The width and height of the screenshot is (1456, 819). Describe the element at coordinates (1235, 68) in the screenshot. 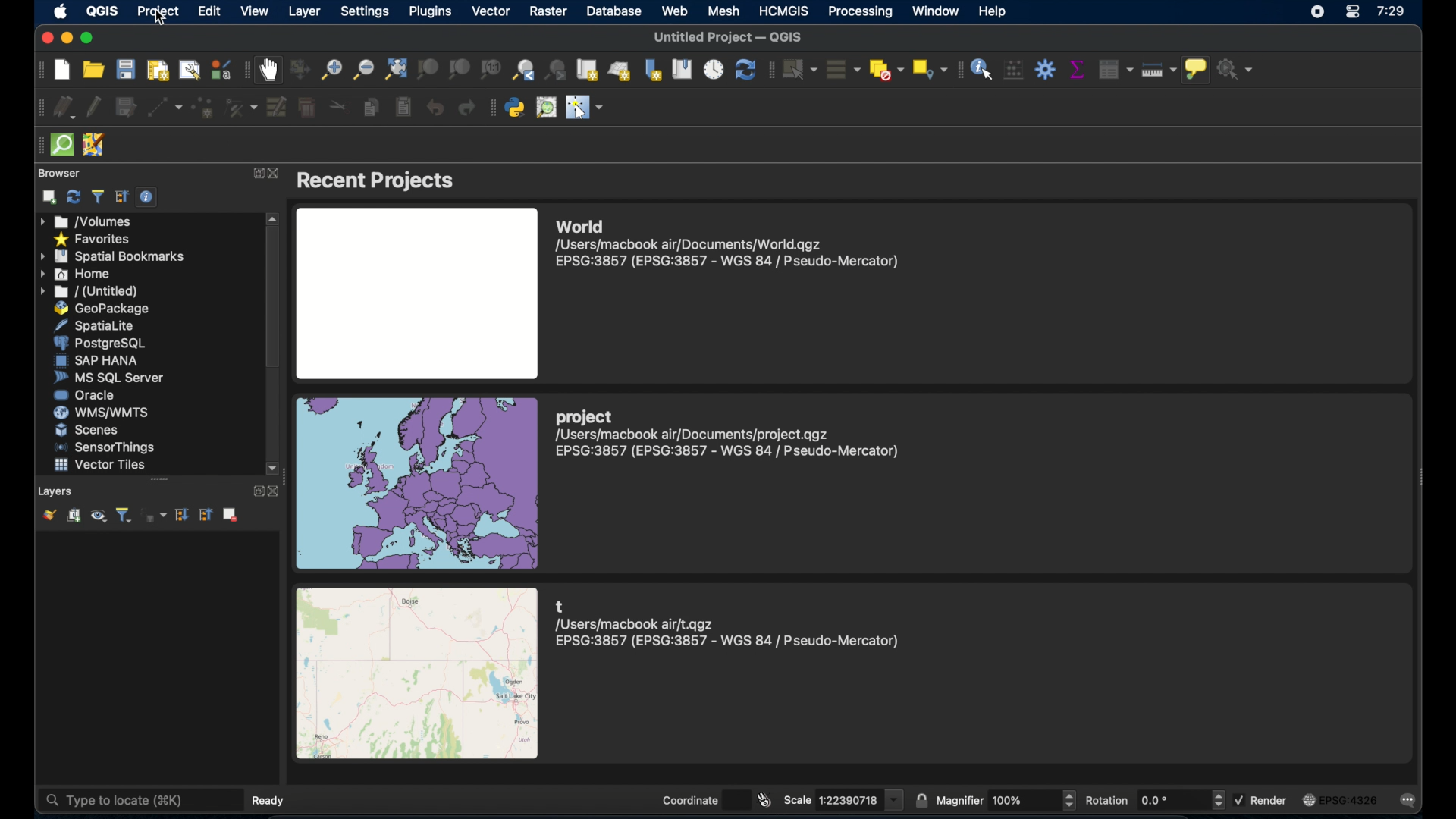

I see `no action selected` at that location.